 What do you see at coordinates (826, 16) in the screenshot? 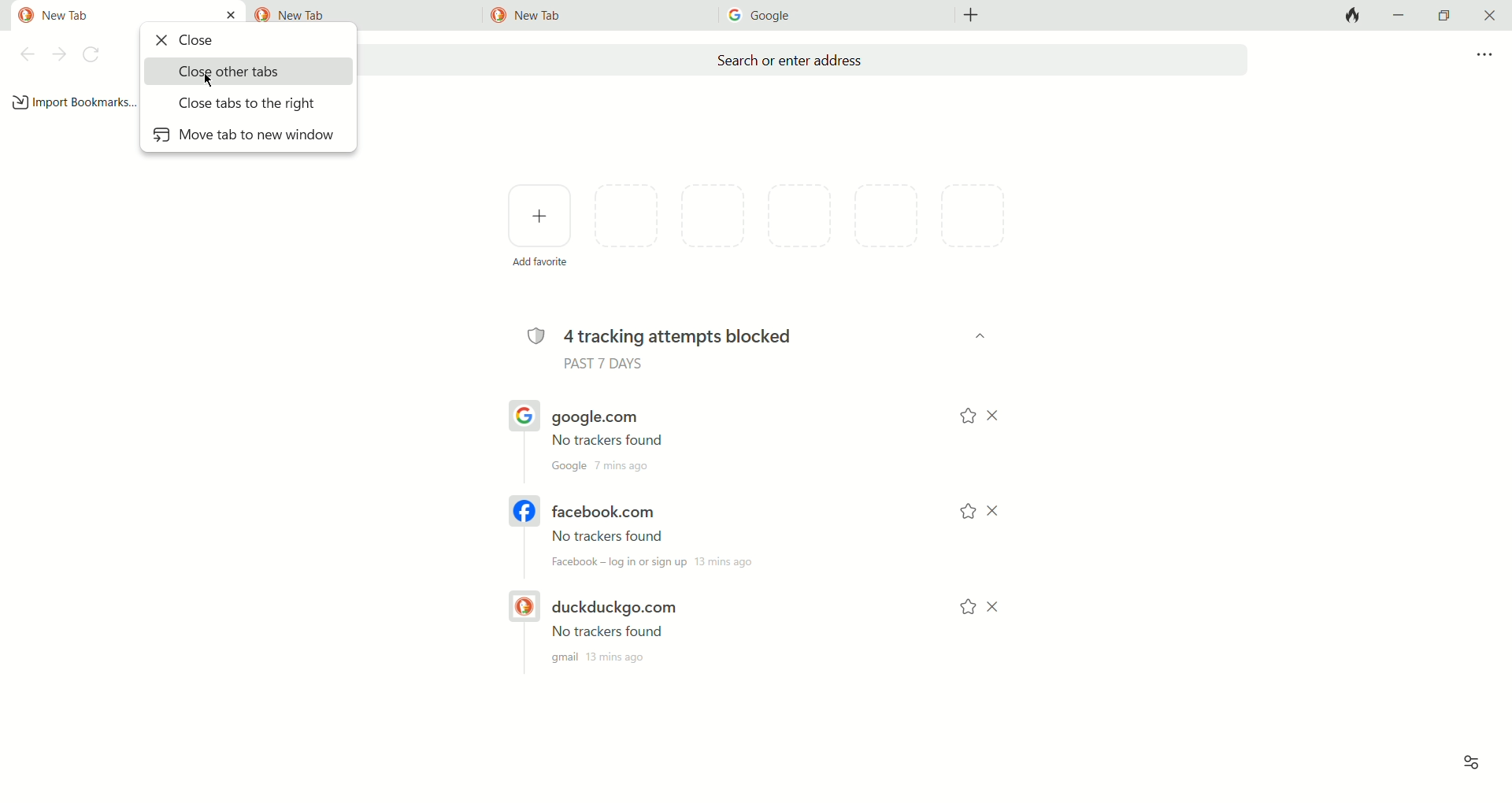
I see `tab3` at bounding box center [826, 16].